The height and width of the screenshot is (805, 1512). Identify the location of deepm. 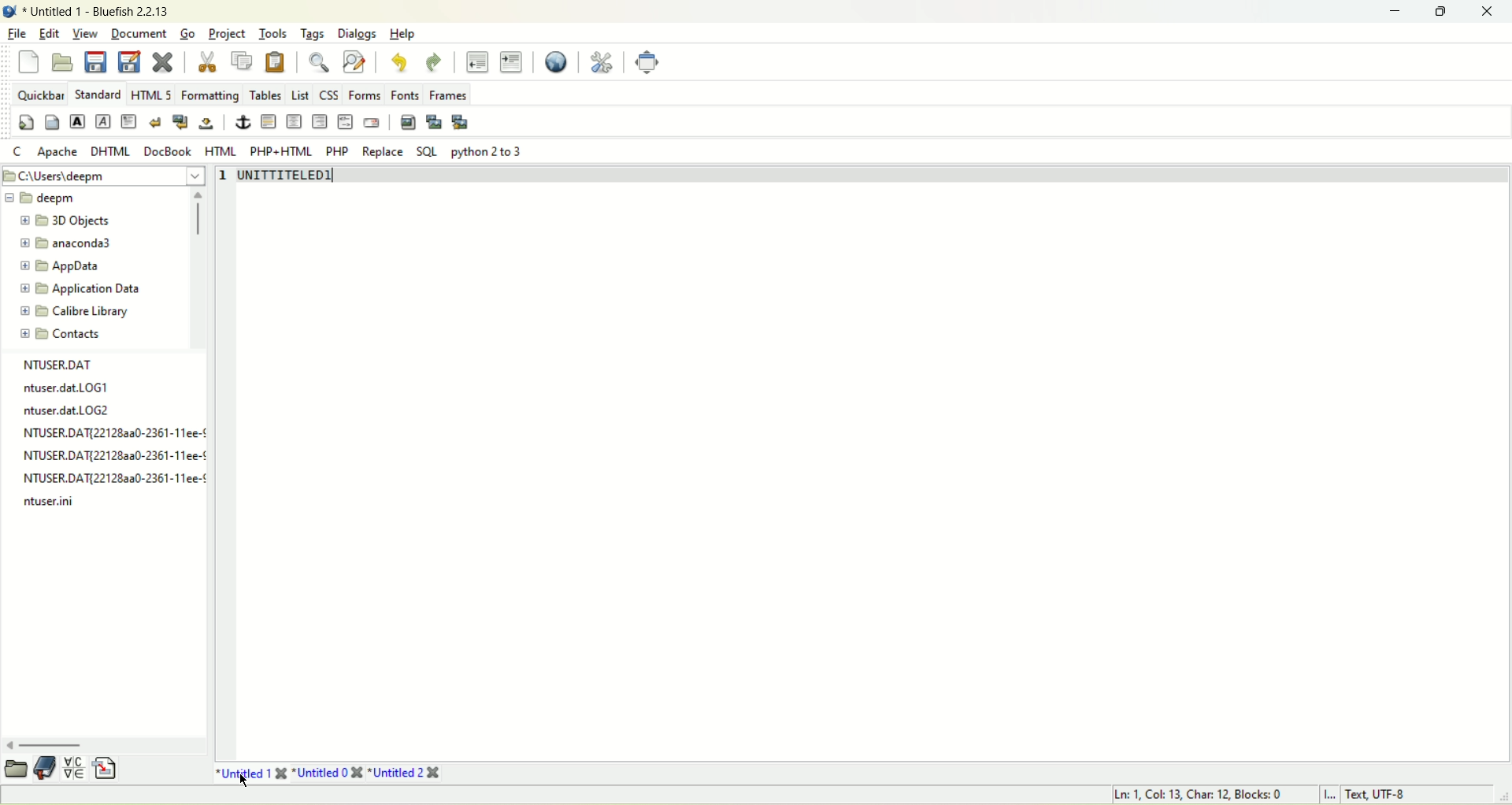
(39, 199).